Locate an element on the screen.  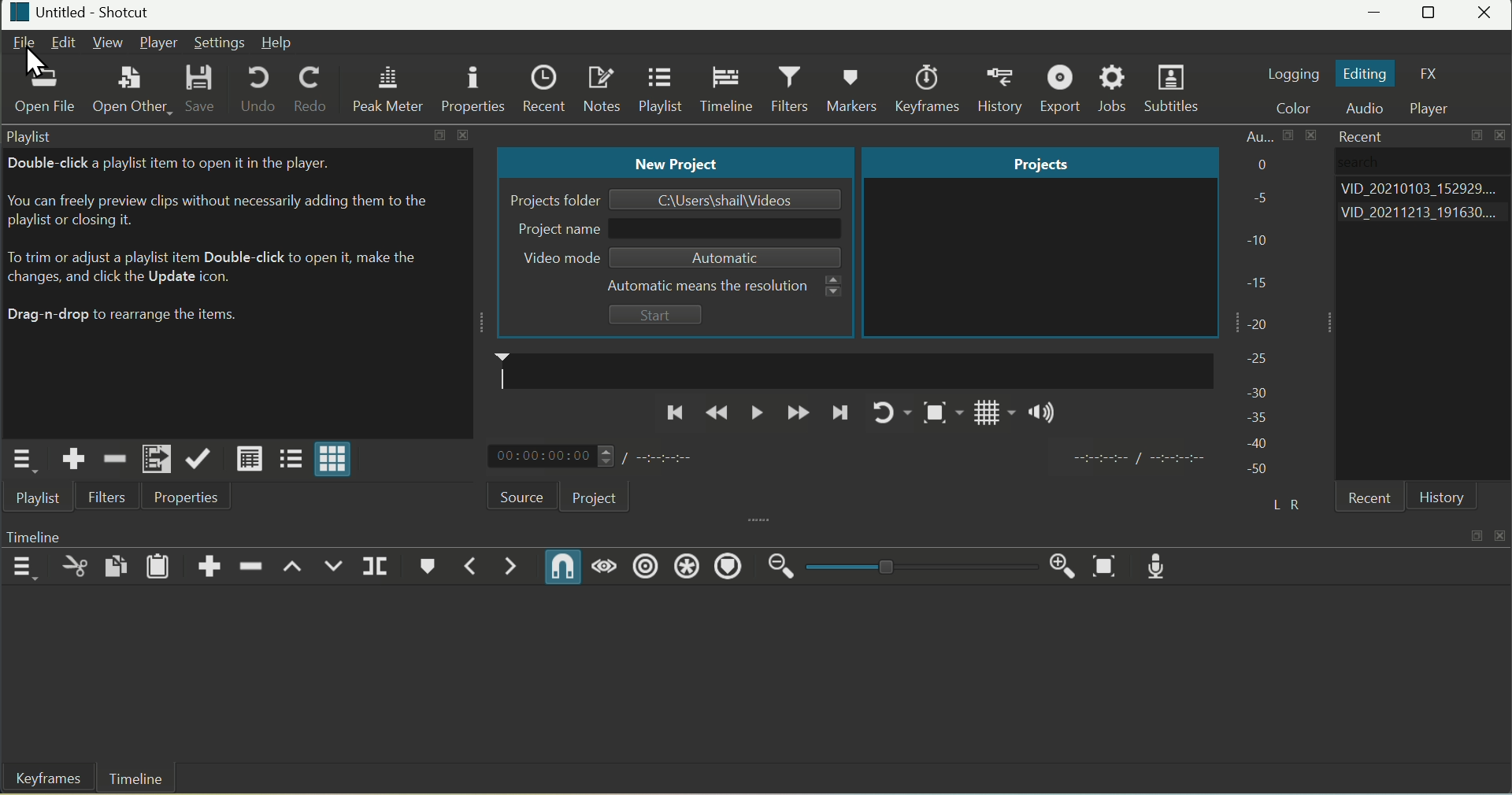
Maximize is located at coordinates (1431, 15).